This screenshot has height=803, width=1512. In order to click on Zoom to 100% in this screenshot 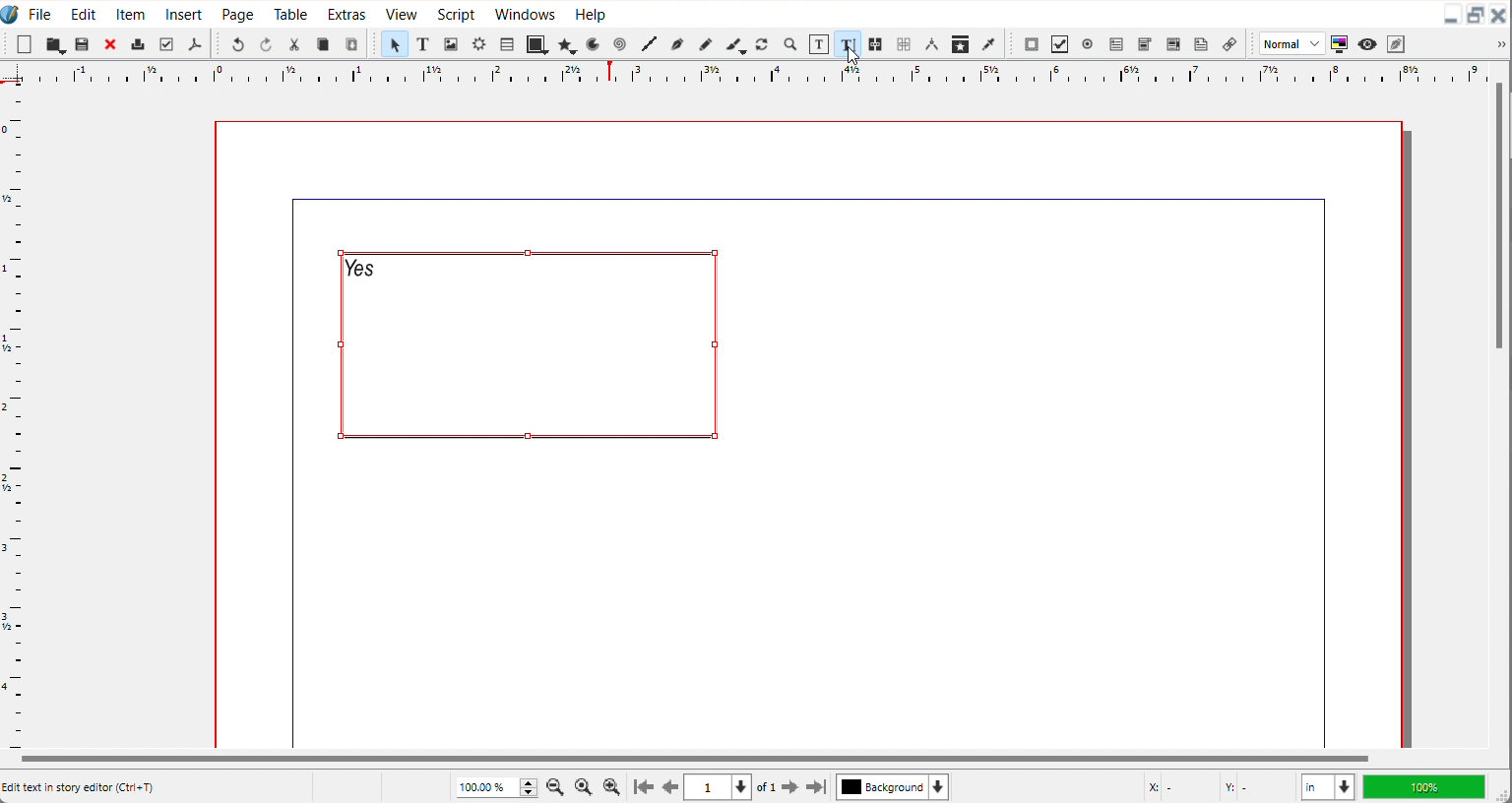, I will do `click(585, 785)`.